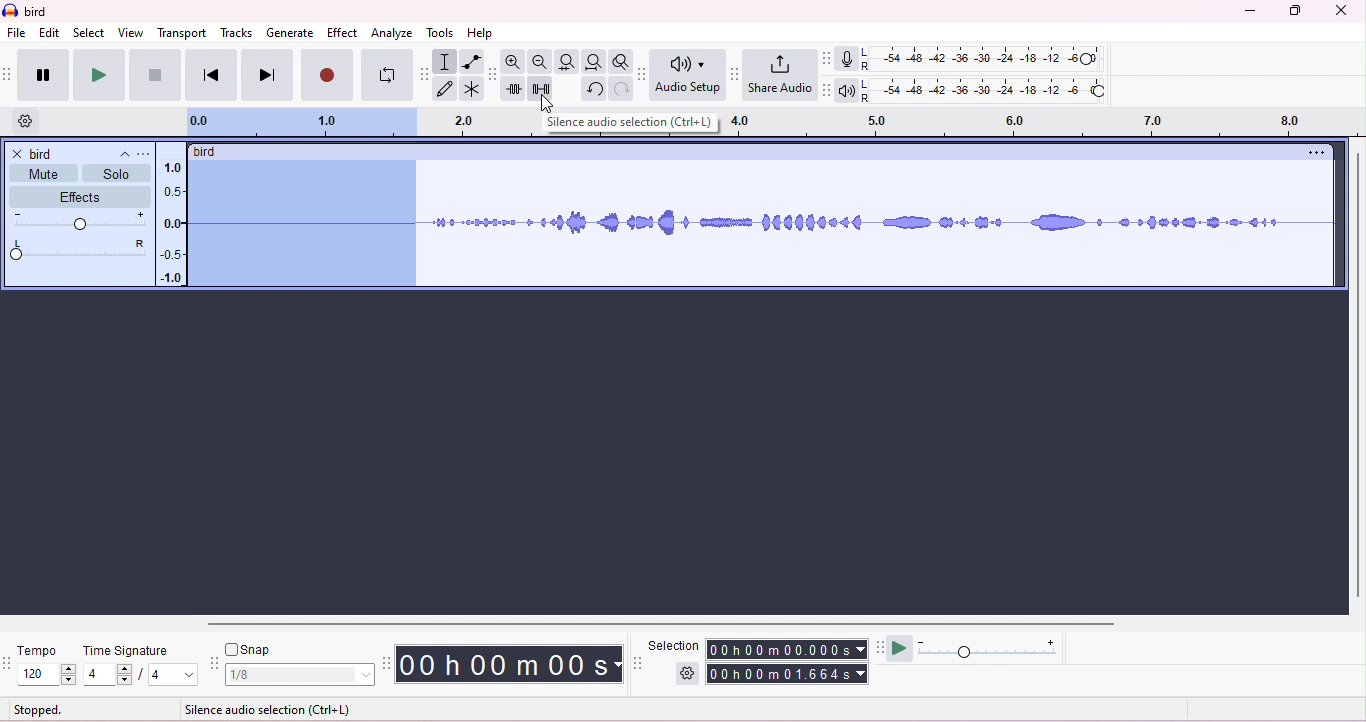 This screenshot has height=722, width=1366. Describe the element at coordinates (388, 663) in the screenshot. I see `time tool bar` at that location.